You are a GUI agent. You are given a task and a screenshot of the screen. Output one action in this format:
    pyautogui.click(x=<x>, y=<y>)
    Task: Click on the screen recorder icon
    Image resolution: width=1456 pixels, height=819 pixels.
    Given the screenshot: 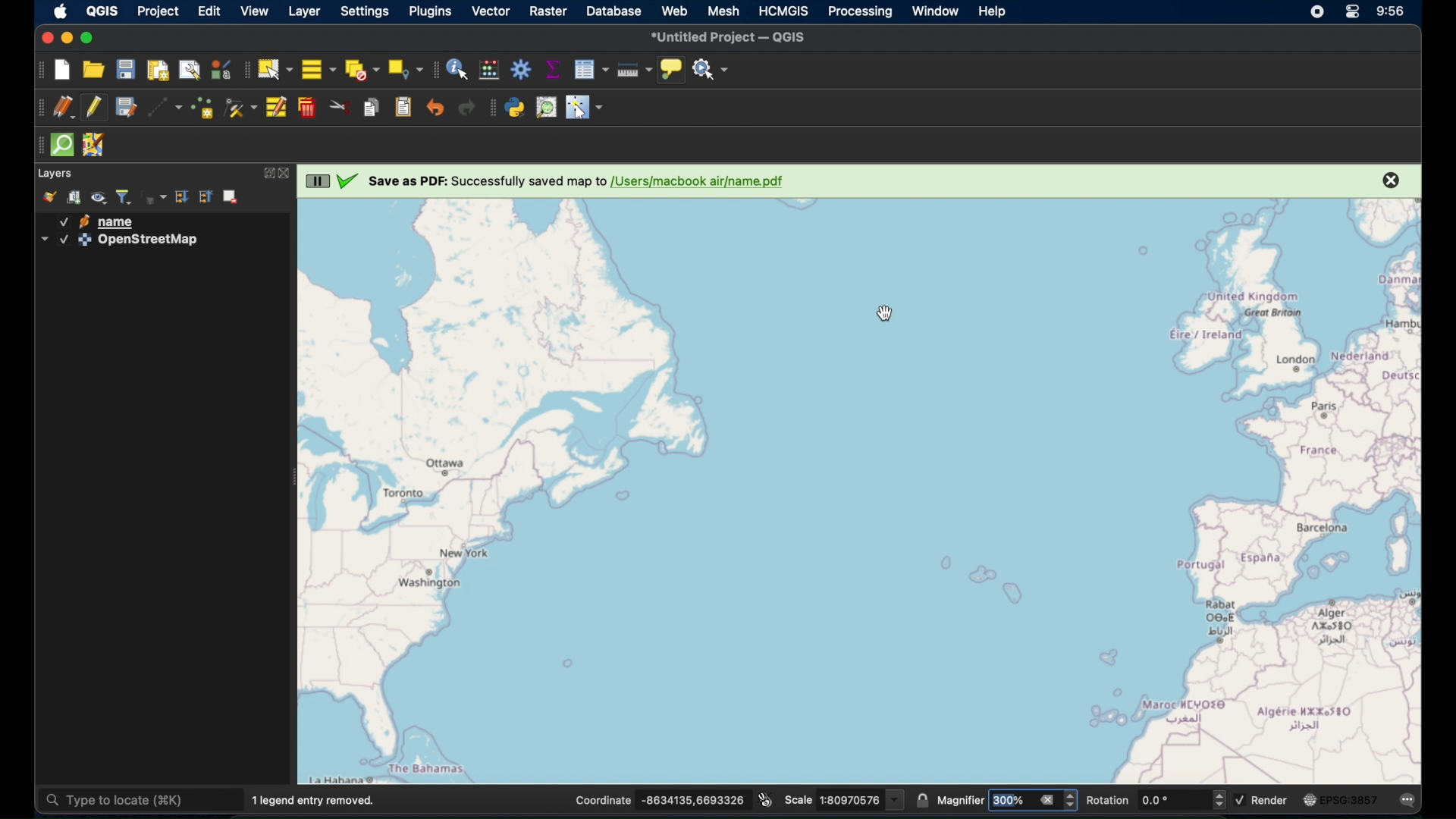 What is the action you would take?
    pyautogui.click(x=1316, y=13)
    